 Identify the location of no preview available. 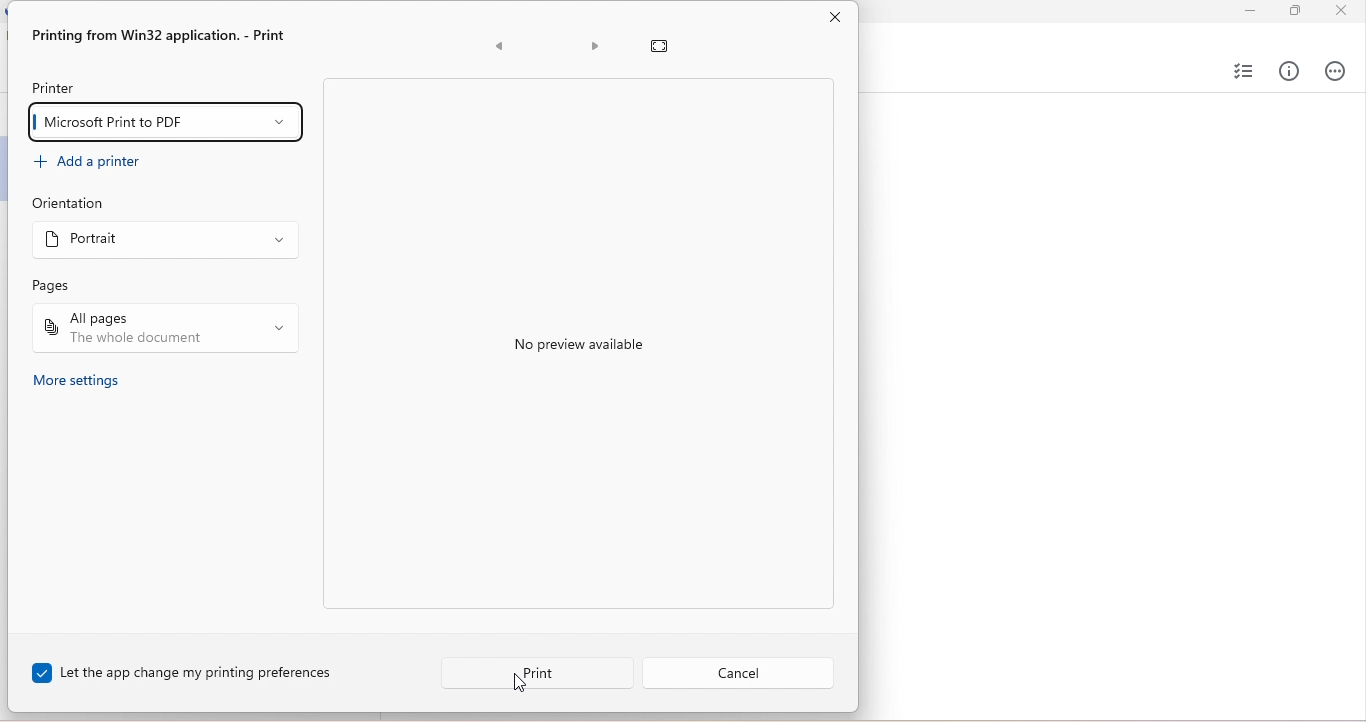
(582, 347).